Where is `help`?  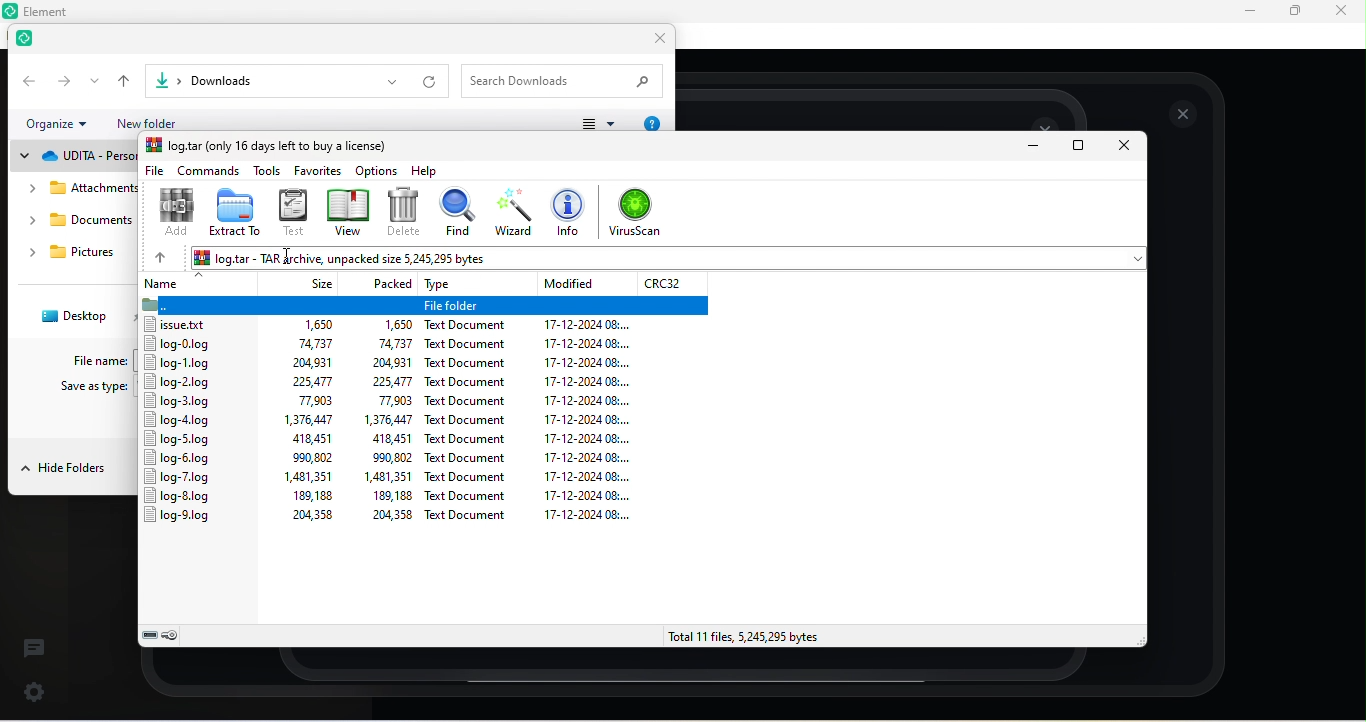 help is located at coordinates (422, 172).